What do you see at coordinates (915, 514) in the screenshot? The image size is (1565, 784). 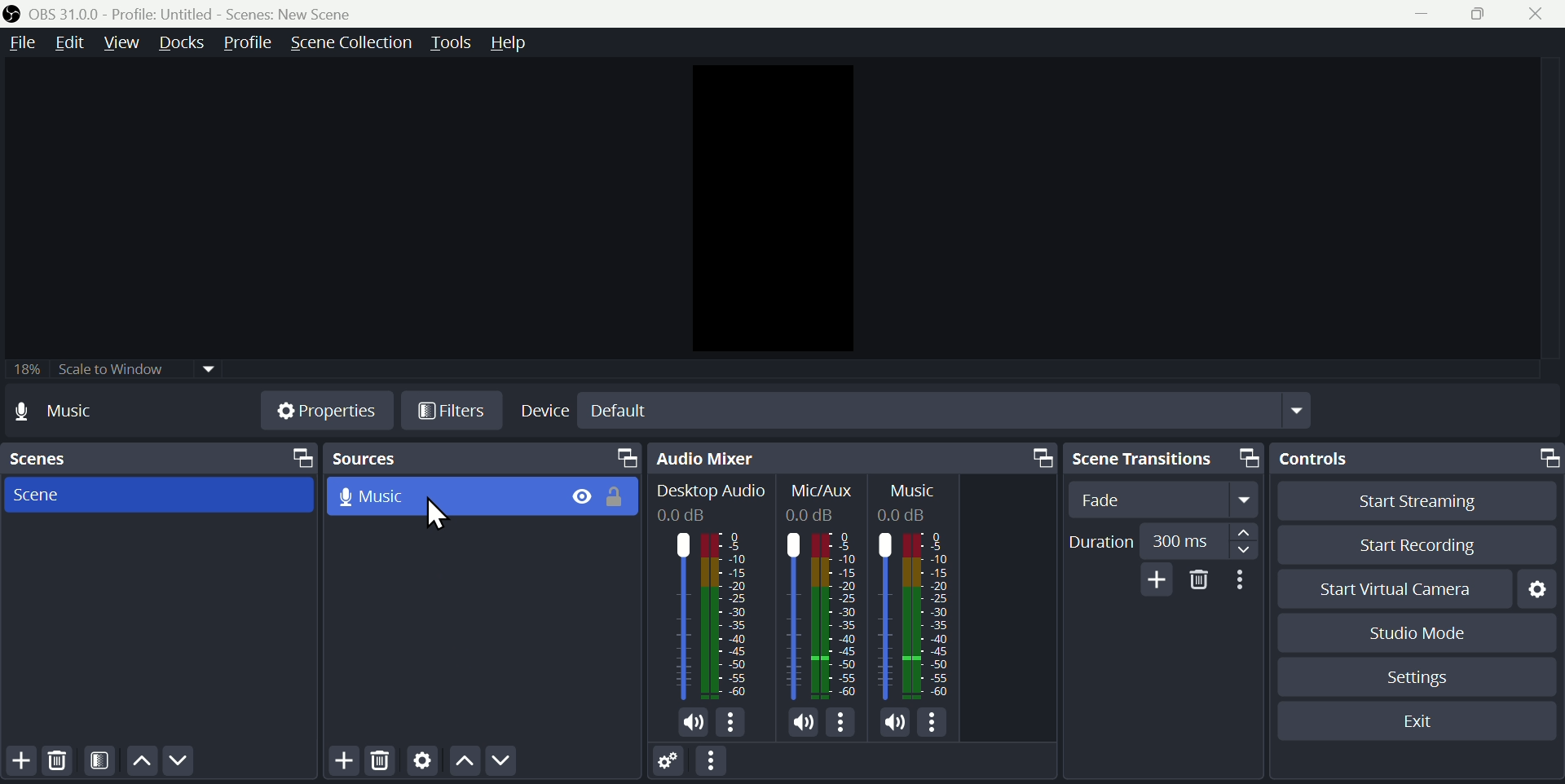 I see `` at bounding box center [915, 514].